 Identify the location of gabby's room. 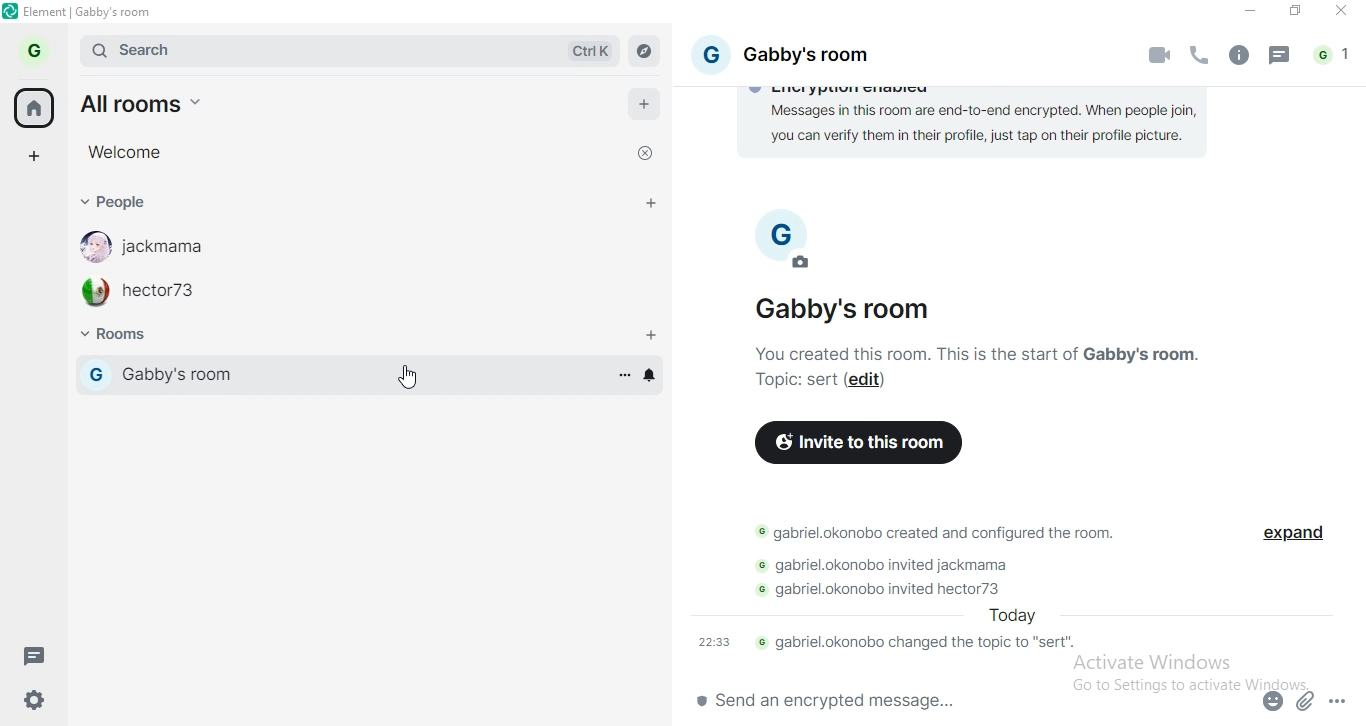
(849, 309).